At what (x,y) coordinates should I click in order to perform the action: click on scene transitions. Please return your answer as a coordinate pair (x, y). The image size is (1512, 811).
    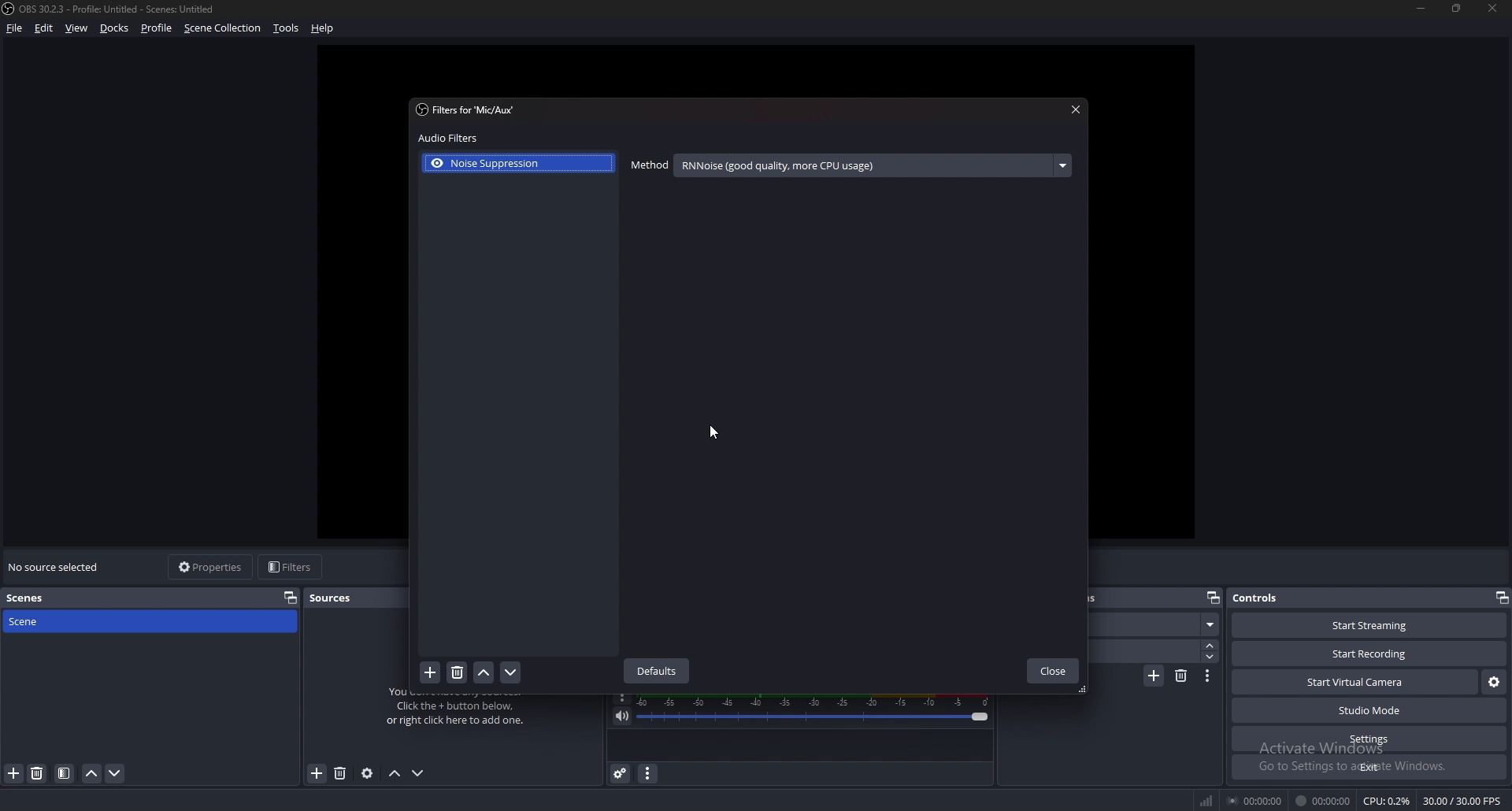
    Looking at the image, I should click on (1142, 597).